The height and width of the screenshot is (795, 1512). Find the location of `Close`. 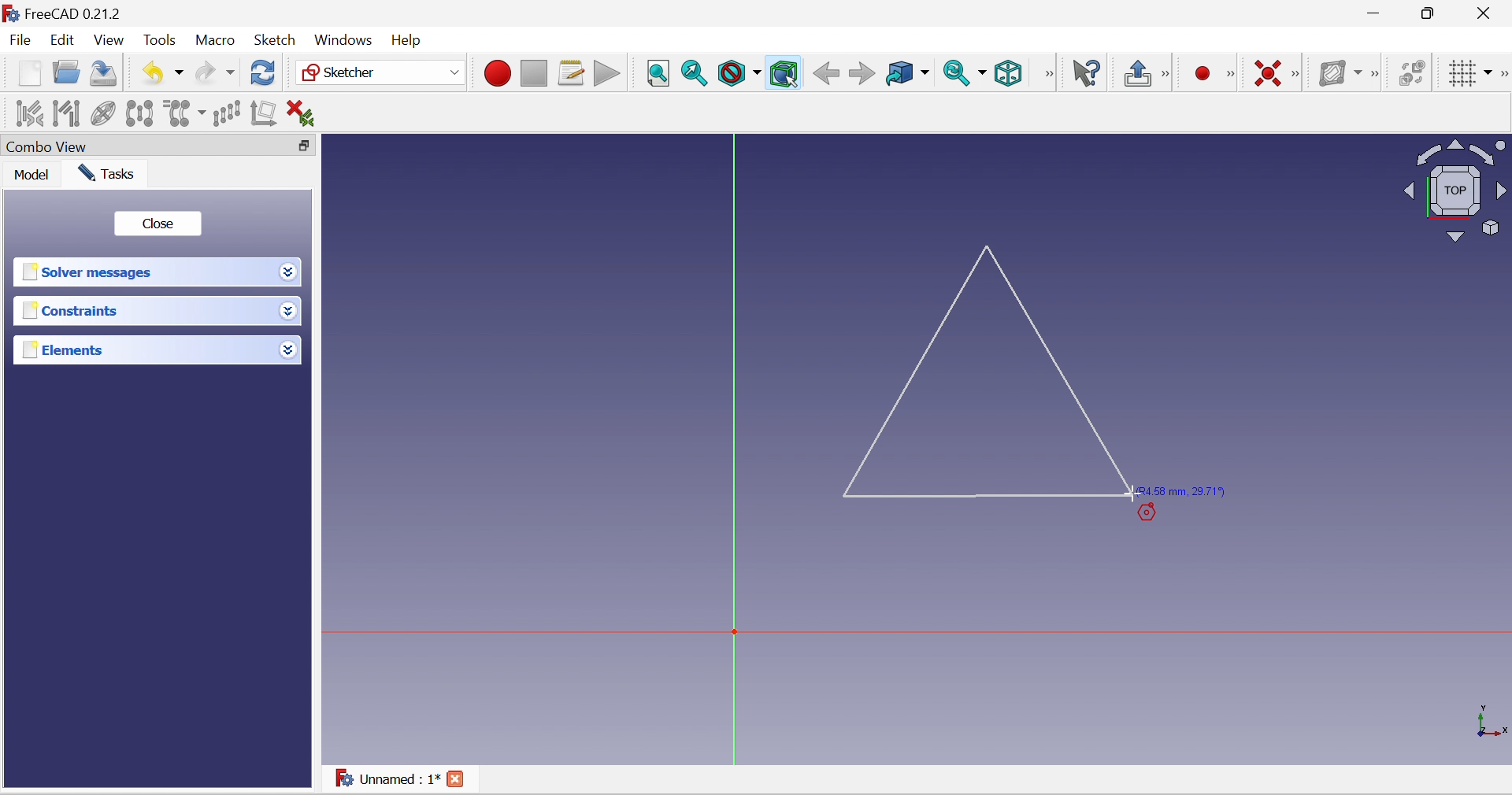

Close is located at coordinates (454, 778).